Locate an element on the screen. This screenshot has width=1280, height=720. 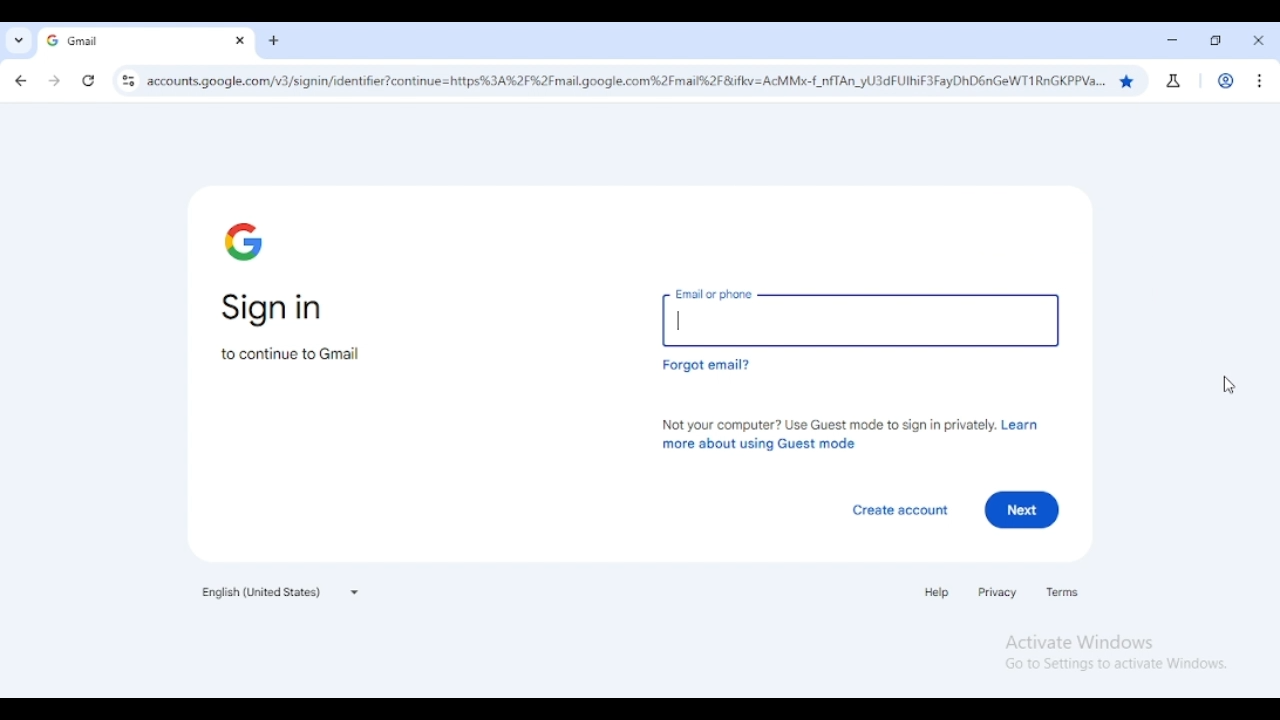
website URL is located at coordinates (626, 80).